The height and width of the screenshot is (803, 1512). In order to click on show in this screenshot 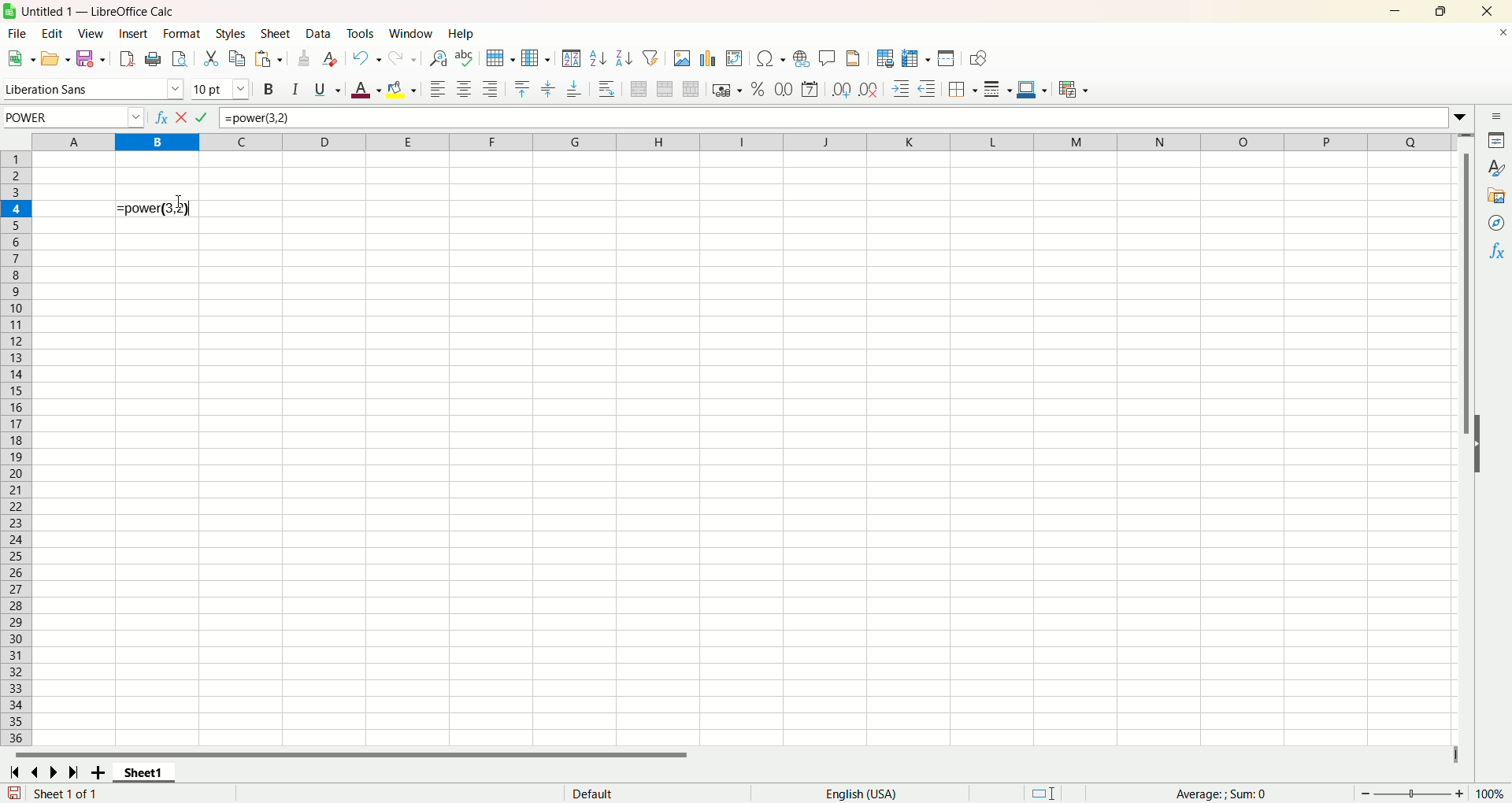, I will do `click(1485, 442)`.